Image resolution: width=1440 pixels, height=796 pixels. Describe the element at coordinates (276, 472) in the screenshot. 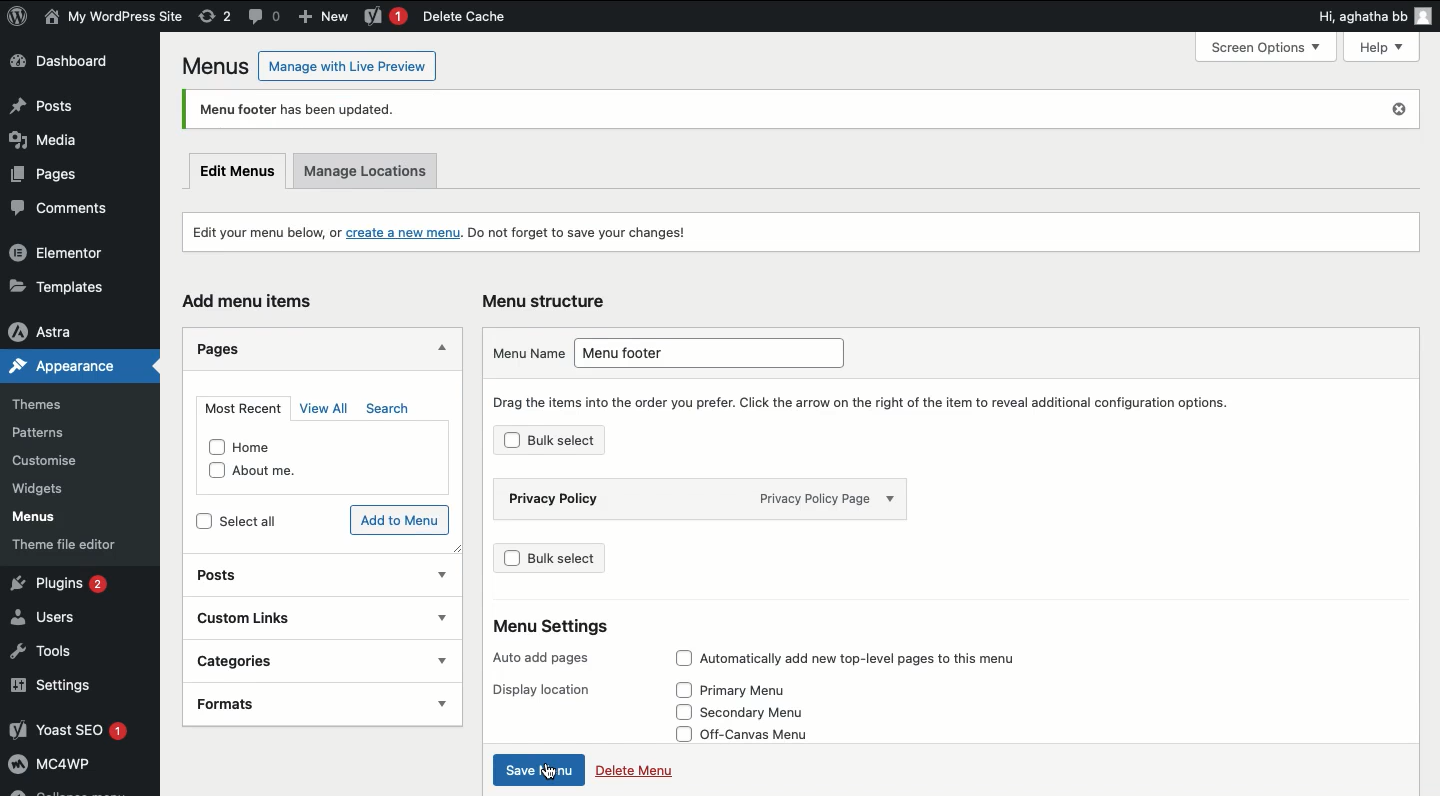

I see `About me` at that location.